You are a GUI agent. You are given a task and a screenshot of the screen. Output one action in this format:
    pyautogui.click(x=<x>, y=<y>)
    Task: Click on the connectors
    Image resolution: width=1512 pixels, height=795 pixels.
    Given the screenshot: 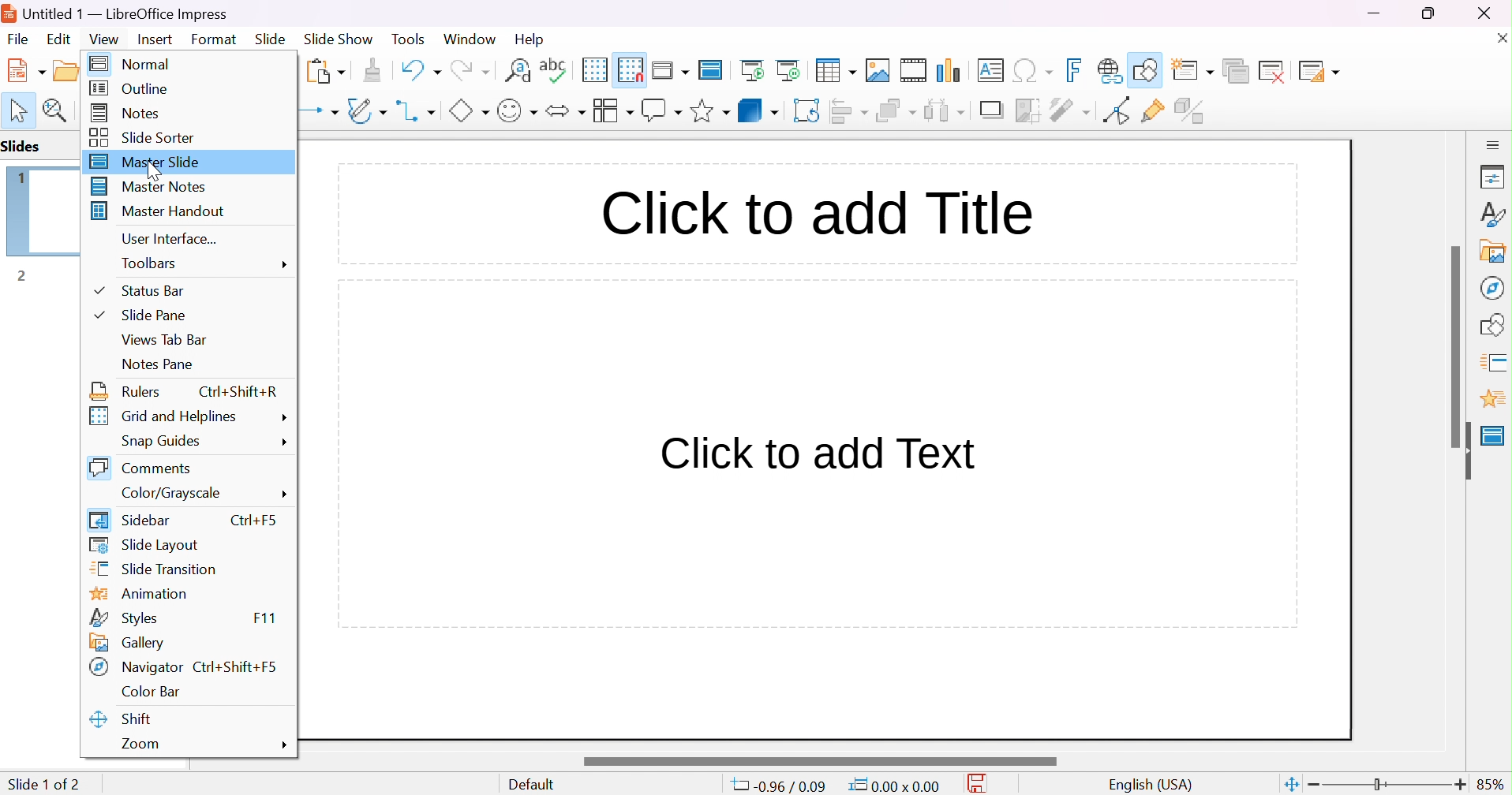 What is the action you would take?
    pyautogui.click(x=417, y=110)
    